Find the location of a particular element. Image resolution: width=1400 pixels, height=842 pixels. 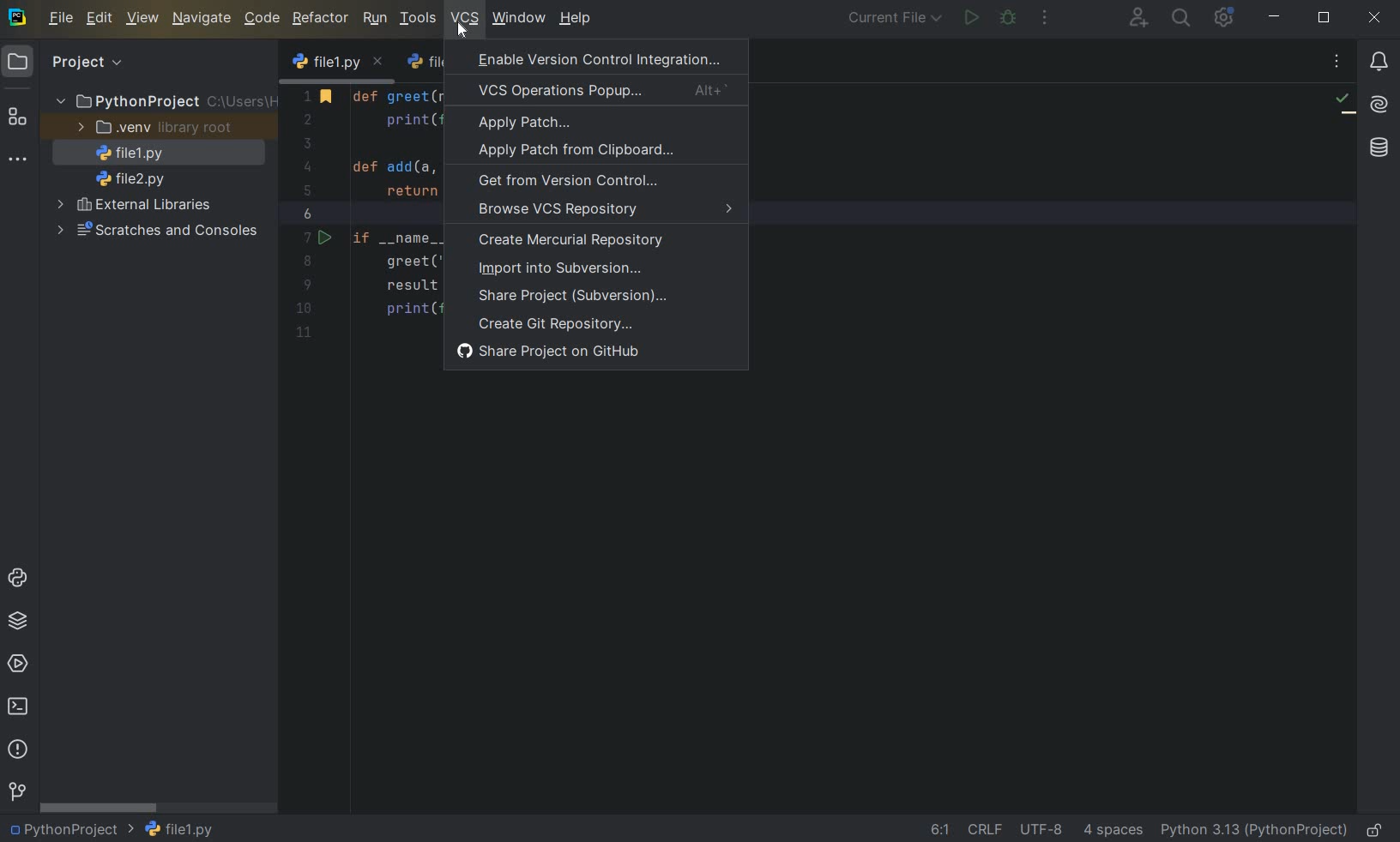

code is located at coordinates (262, 19).